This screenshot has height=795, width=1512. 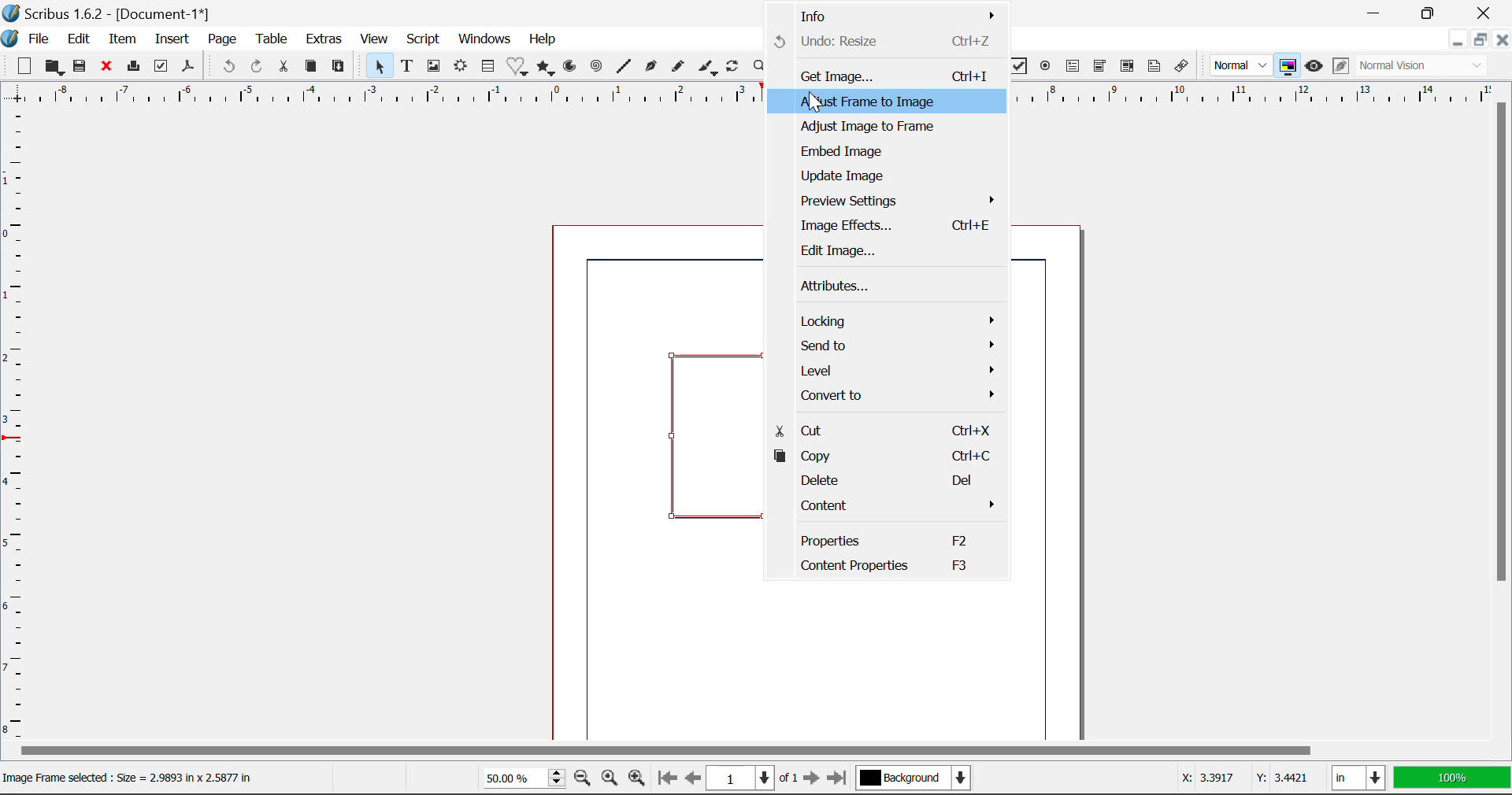 I want to click on Save, so click(x=80, y=68).